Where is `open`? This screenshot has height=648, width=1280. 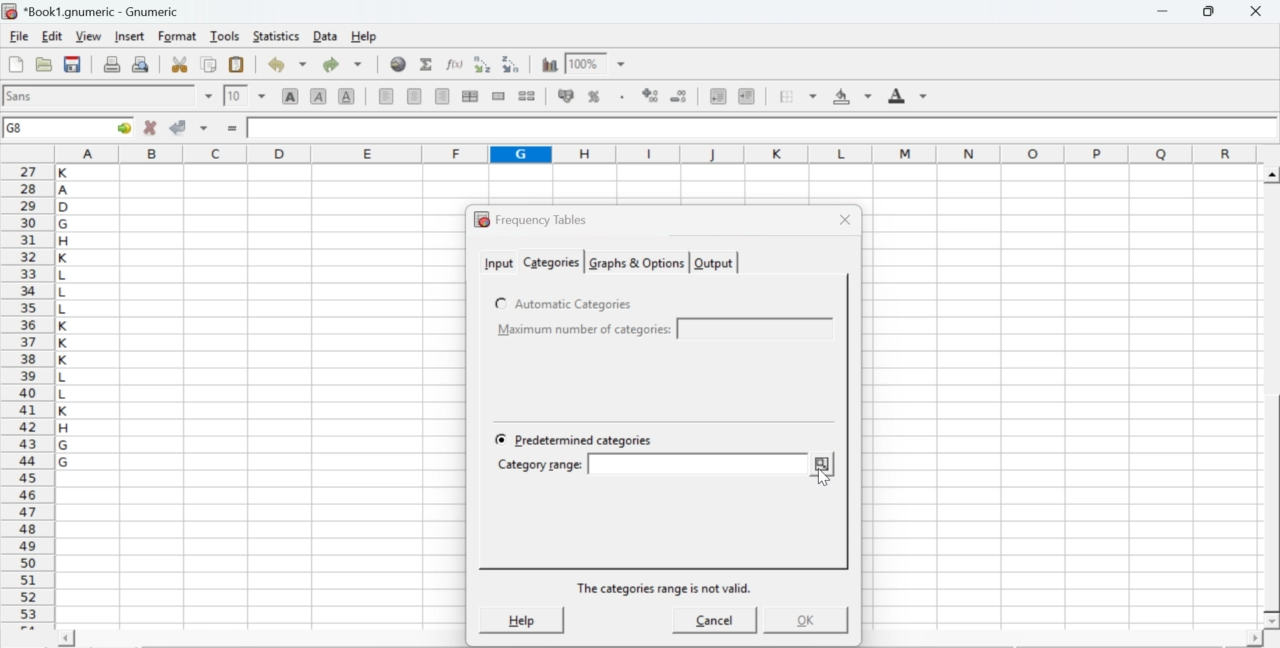
open is located at coordinates (42, 64).